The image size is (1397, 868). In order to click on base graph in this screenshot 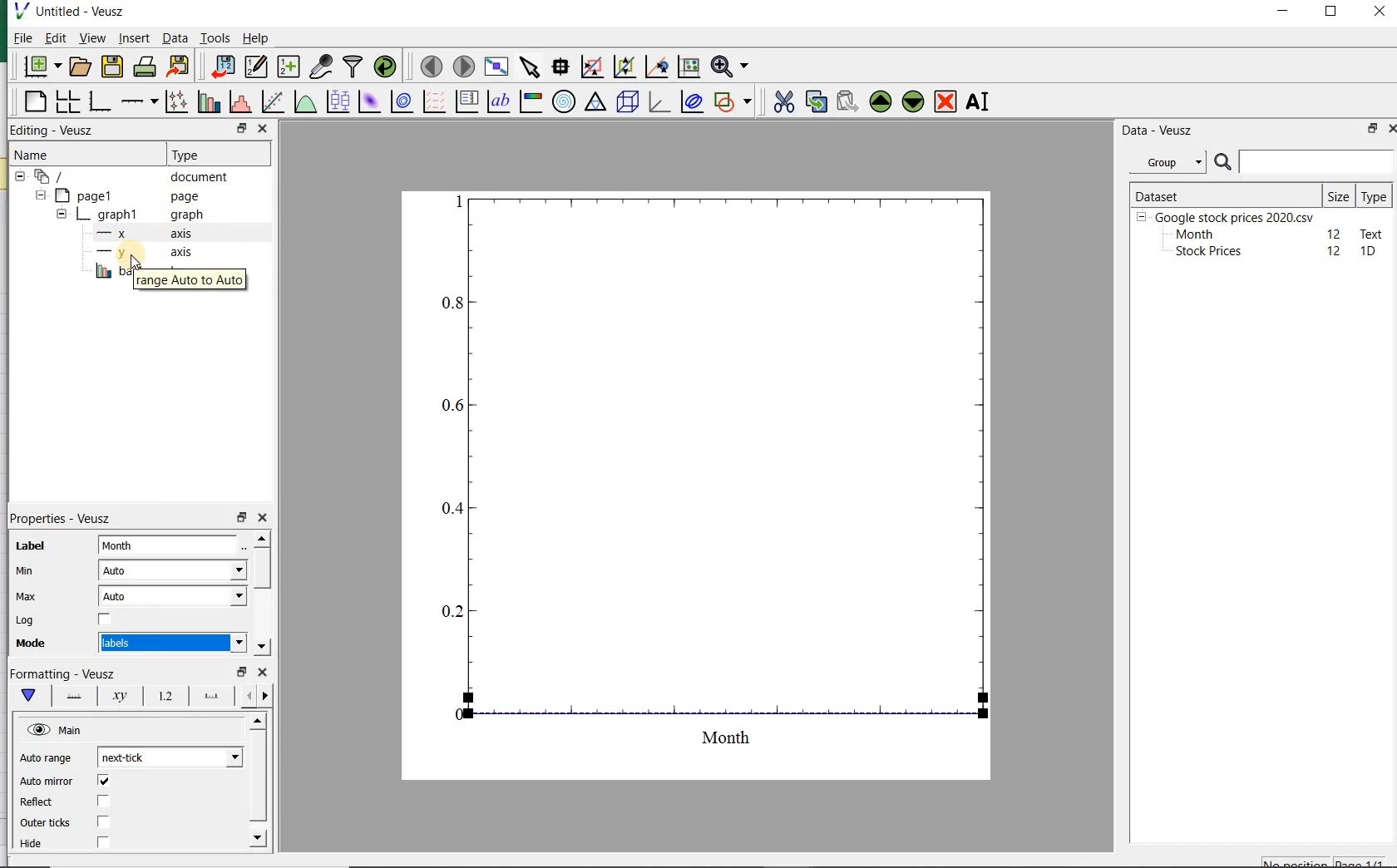, I will do `click(99, 102)`.